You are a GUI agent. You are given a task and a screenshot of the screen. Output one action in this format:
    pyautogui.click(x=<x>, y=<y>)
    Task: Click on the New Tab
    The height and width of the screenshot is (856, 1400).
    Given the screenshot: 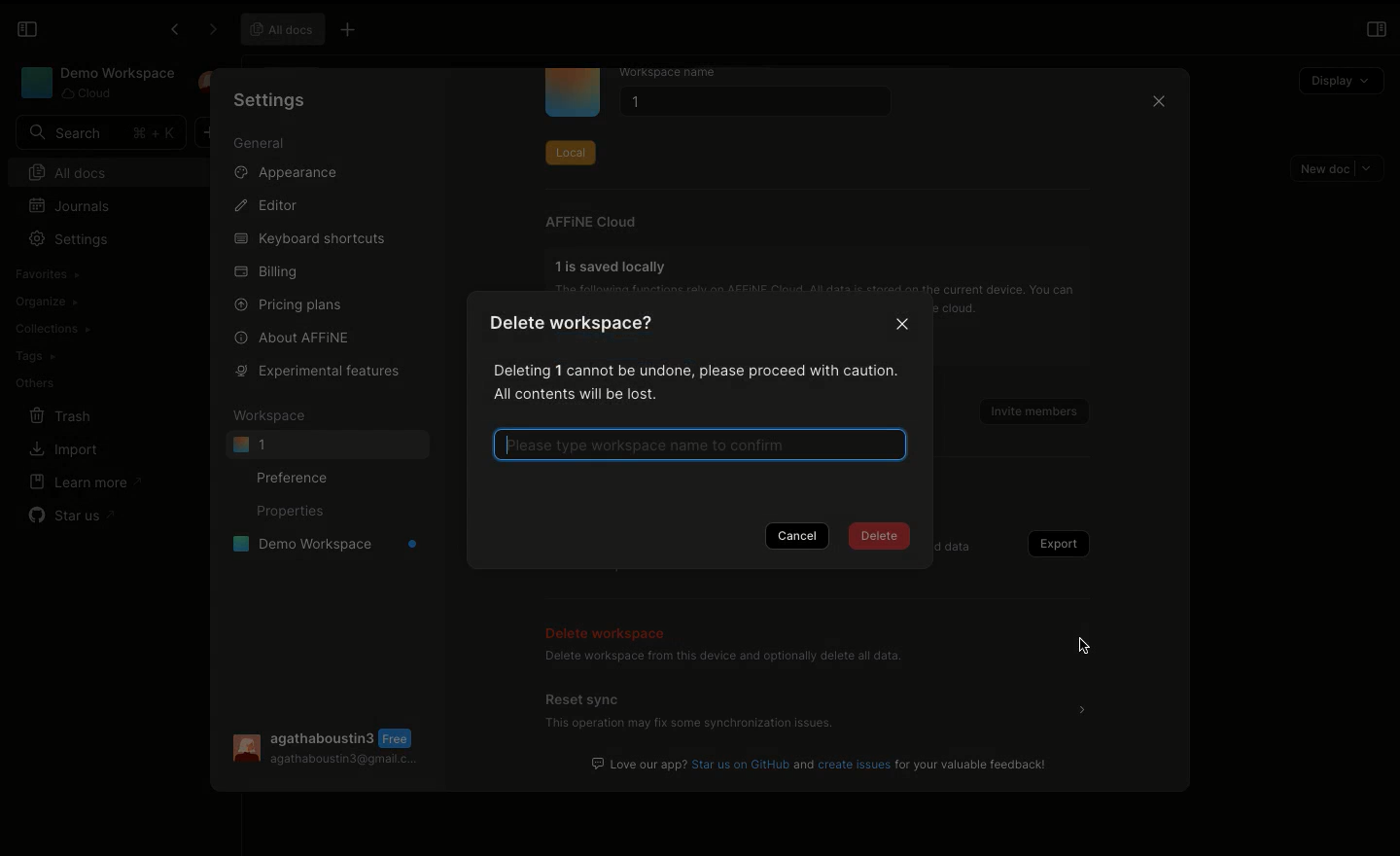 What is the action you would take?
    pyautogui.click(x=354, y=31)
    